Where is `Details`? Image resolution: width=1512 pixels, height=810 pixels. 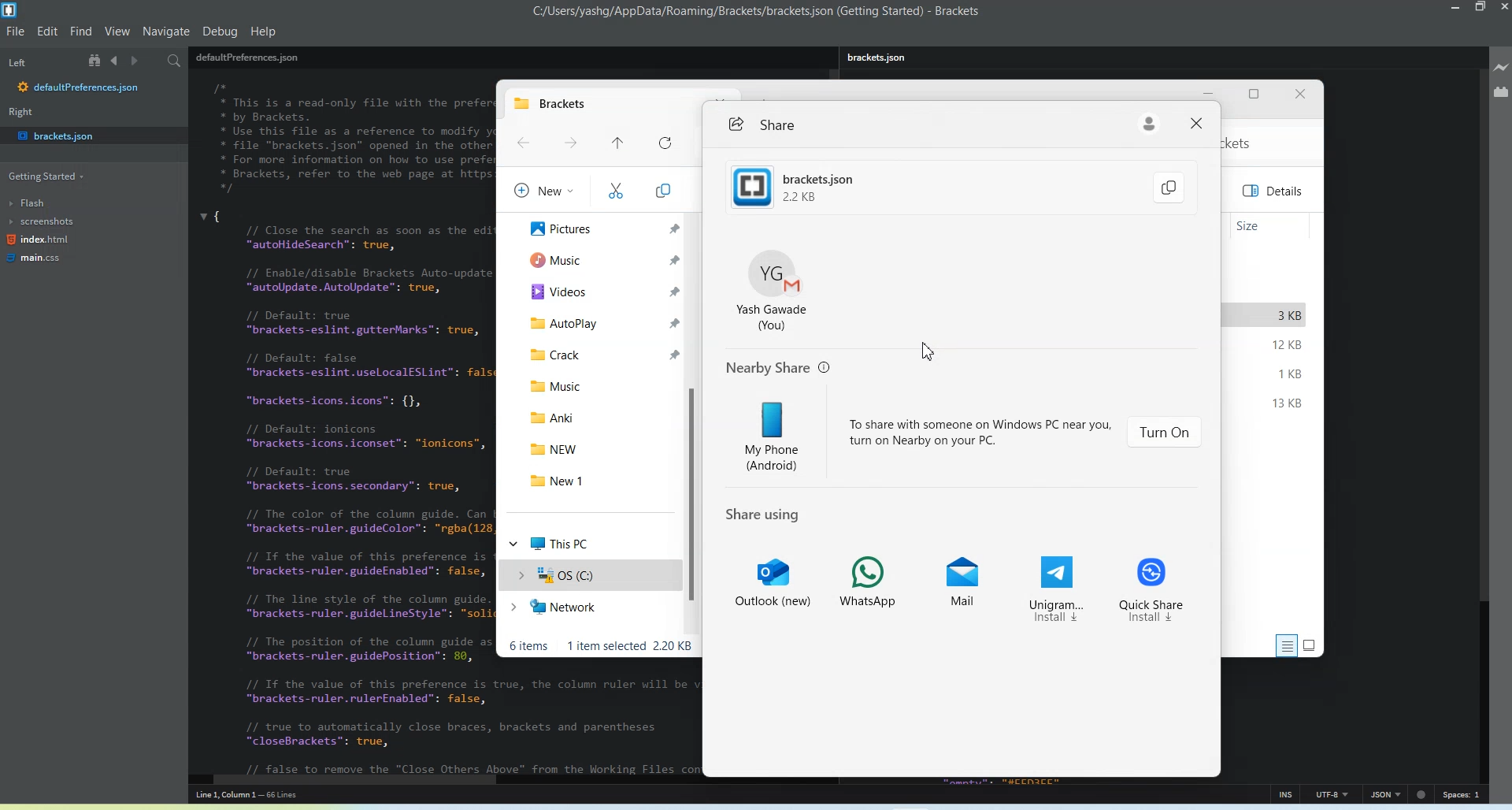 Details is located at coordinates (1275, 191).